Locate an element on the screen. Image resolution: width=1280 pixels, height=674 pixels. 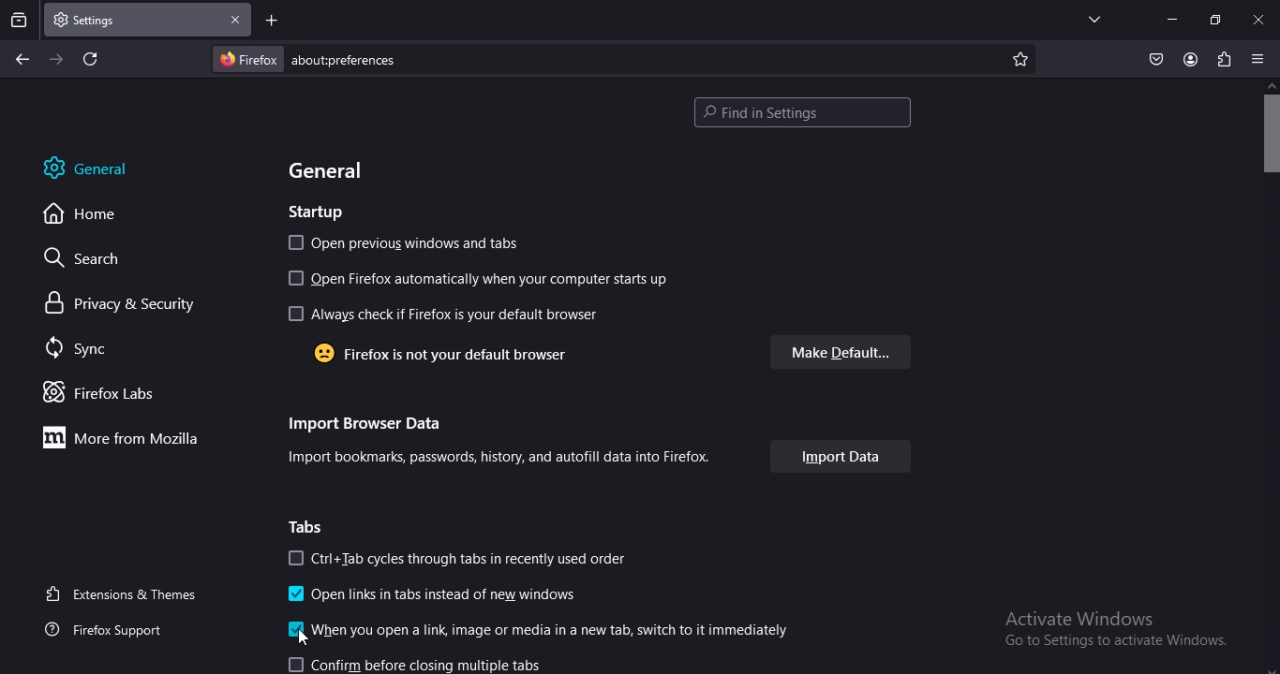
more from mozilla is located at coordinates (128, 438).